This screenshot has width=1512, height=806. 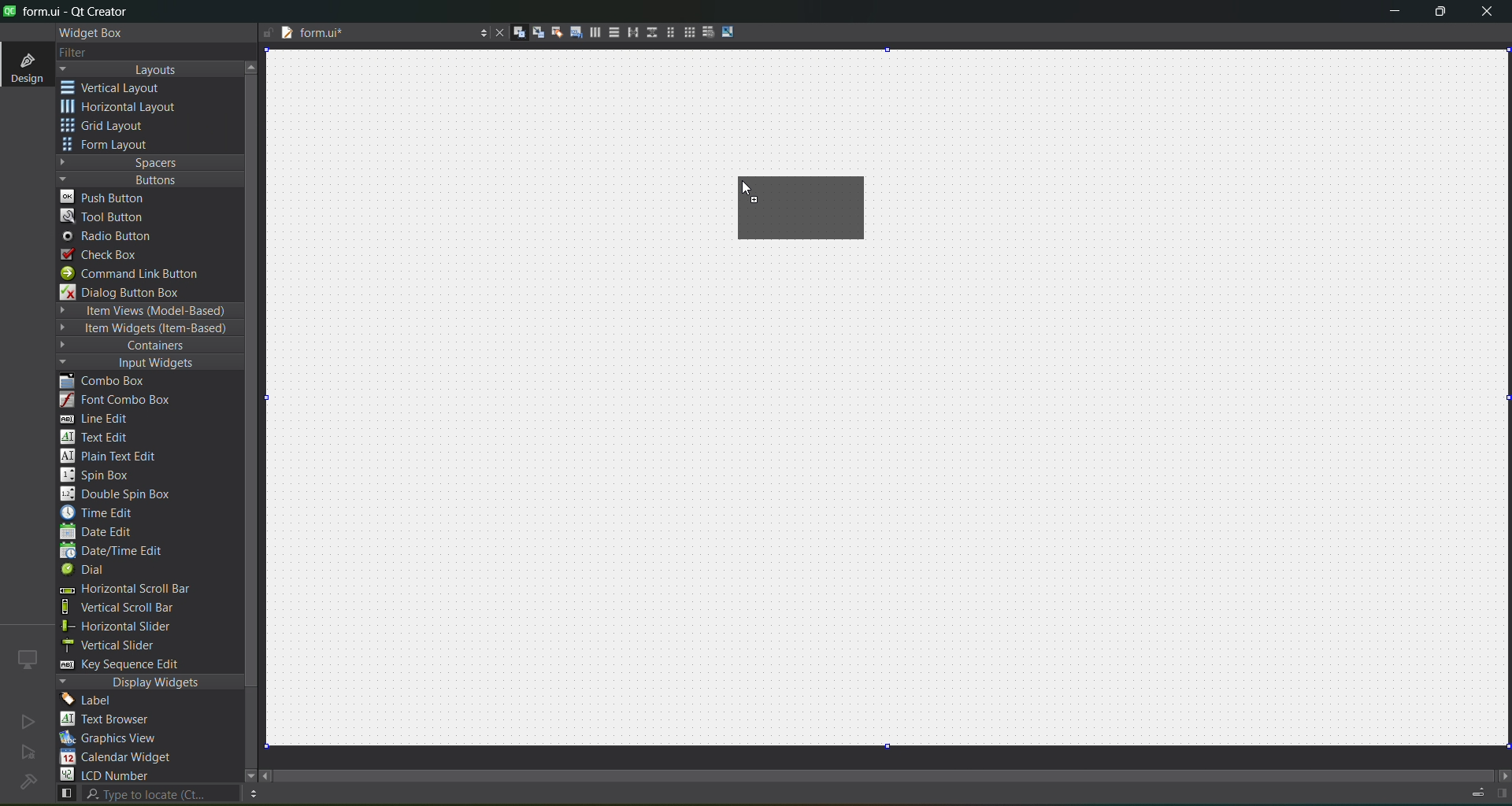 What do you see at coordinates (110, 145) in the screenshot?
I see `form` at bounding box center [110, 145].